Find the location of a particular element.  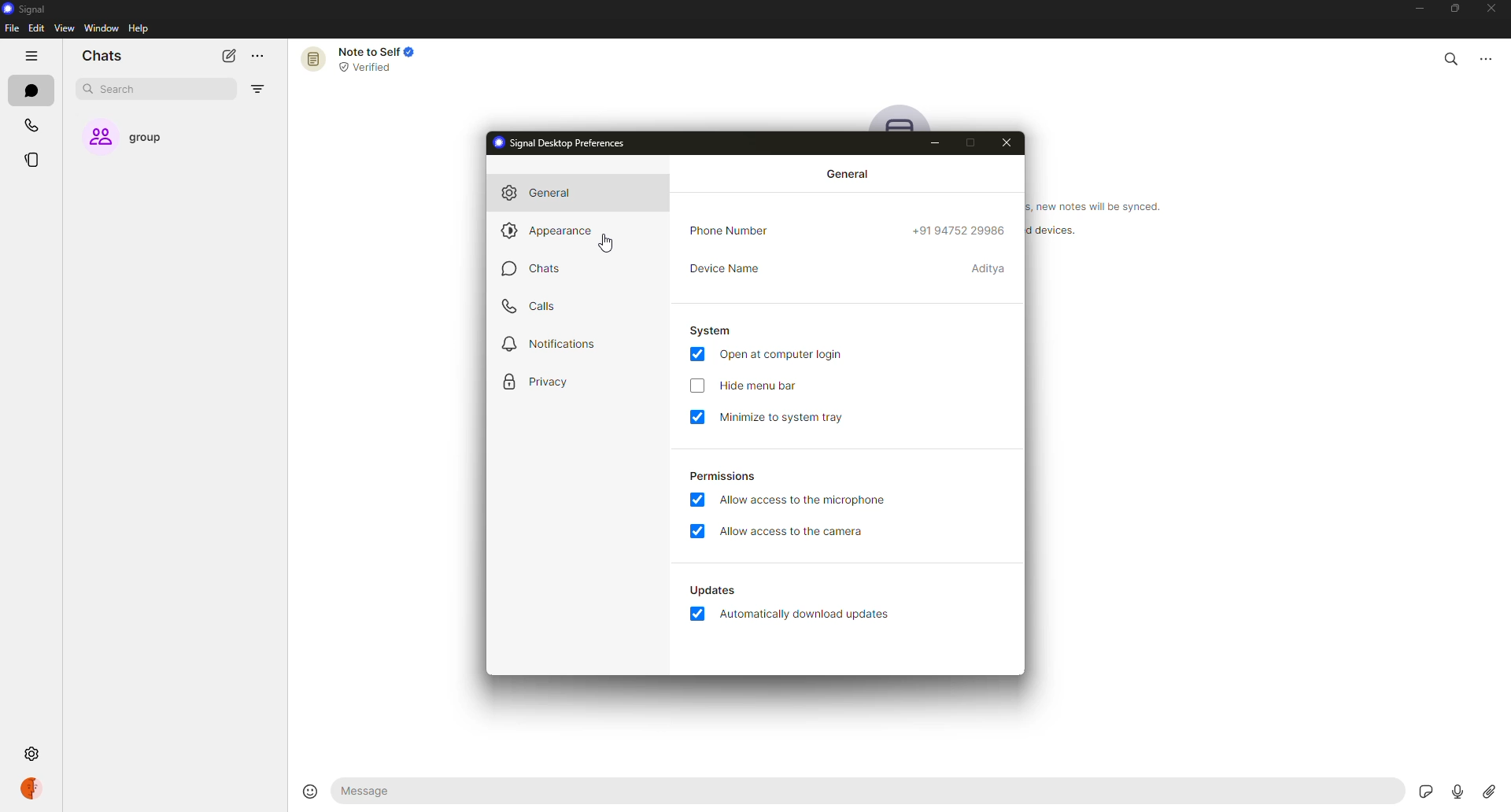

file is located at coordinates (11, 29).